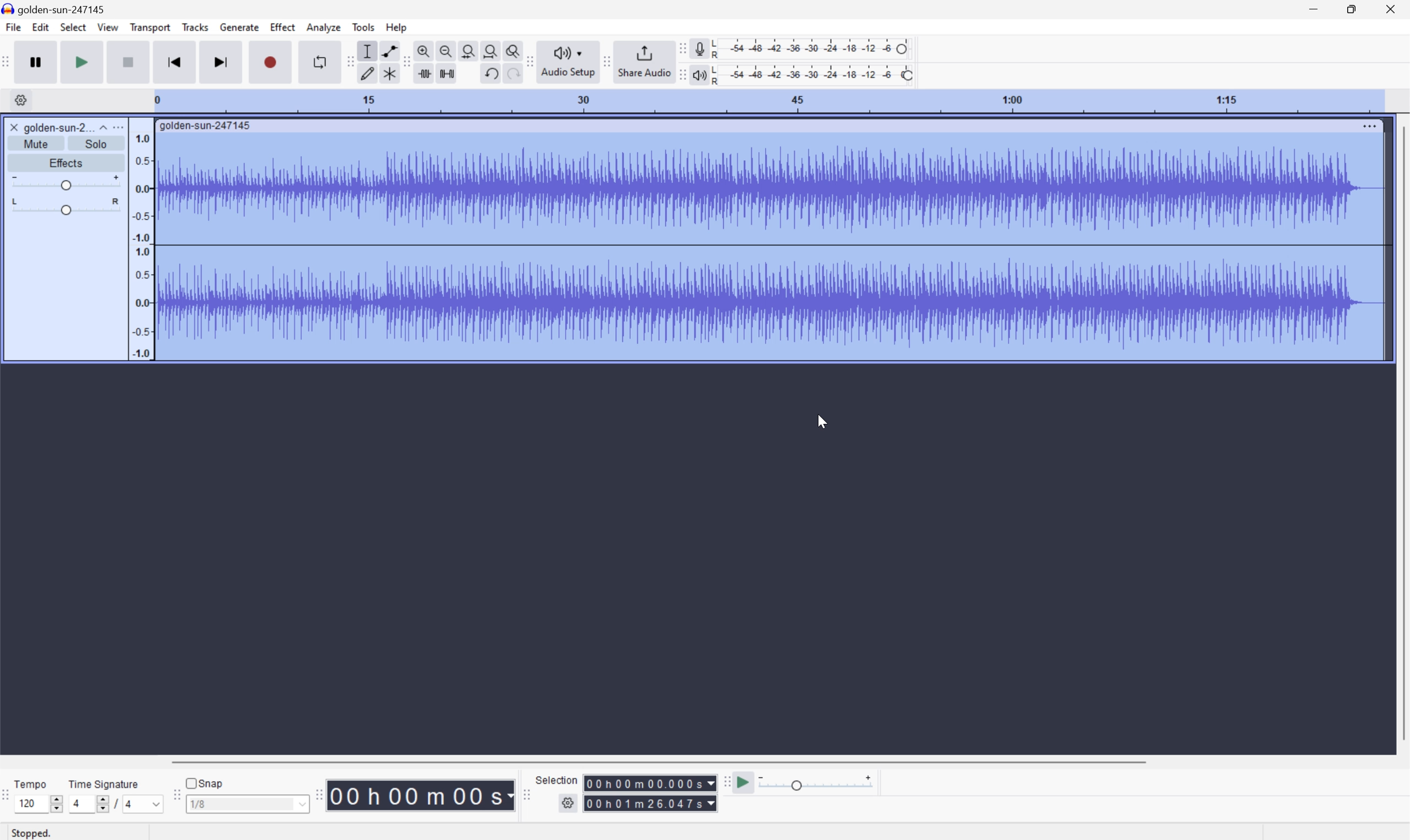 This screenshot has width=1410, height=840. I want to click on Play, so click(83, 61).